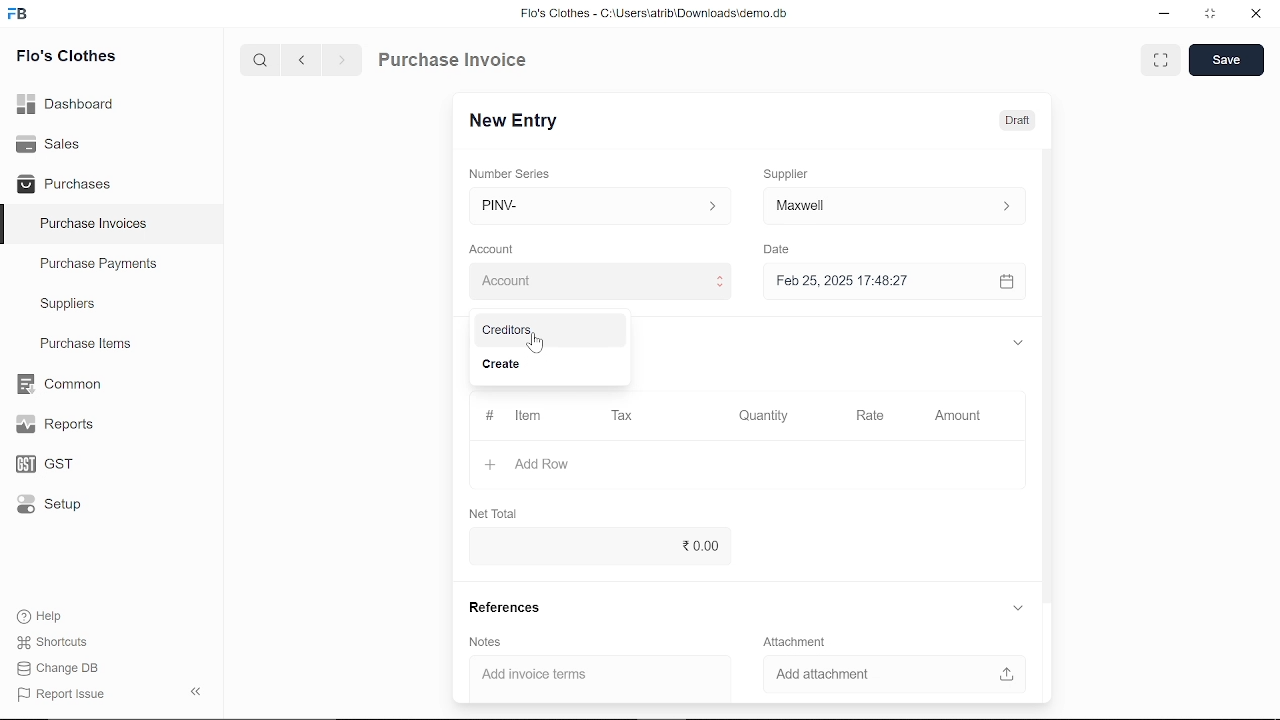 The image size is (1280, 720). Describe the element at coordinates (594, 546) in the screenshot. I see `0.00` at that location.